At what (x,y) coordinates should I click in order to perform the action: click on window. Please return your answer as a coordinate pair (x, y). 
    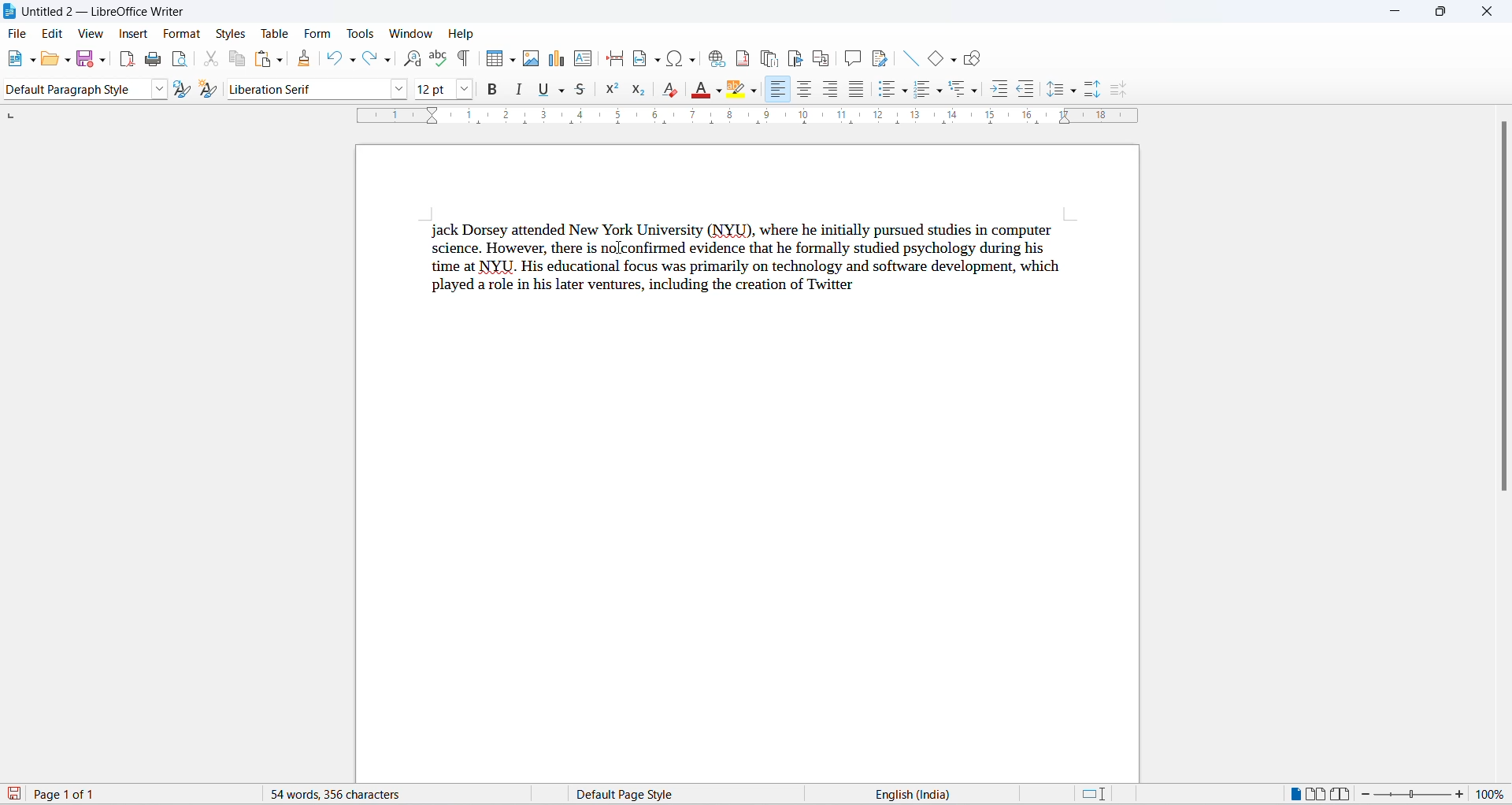
    Looking at the image, I should click on (409, 33).